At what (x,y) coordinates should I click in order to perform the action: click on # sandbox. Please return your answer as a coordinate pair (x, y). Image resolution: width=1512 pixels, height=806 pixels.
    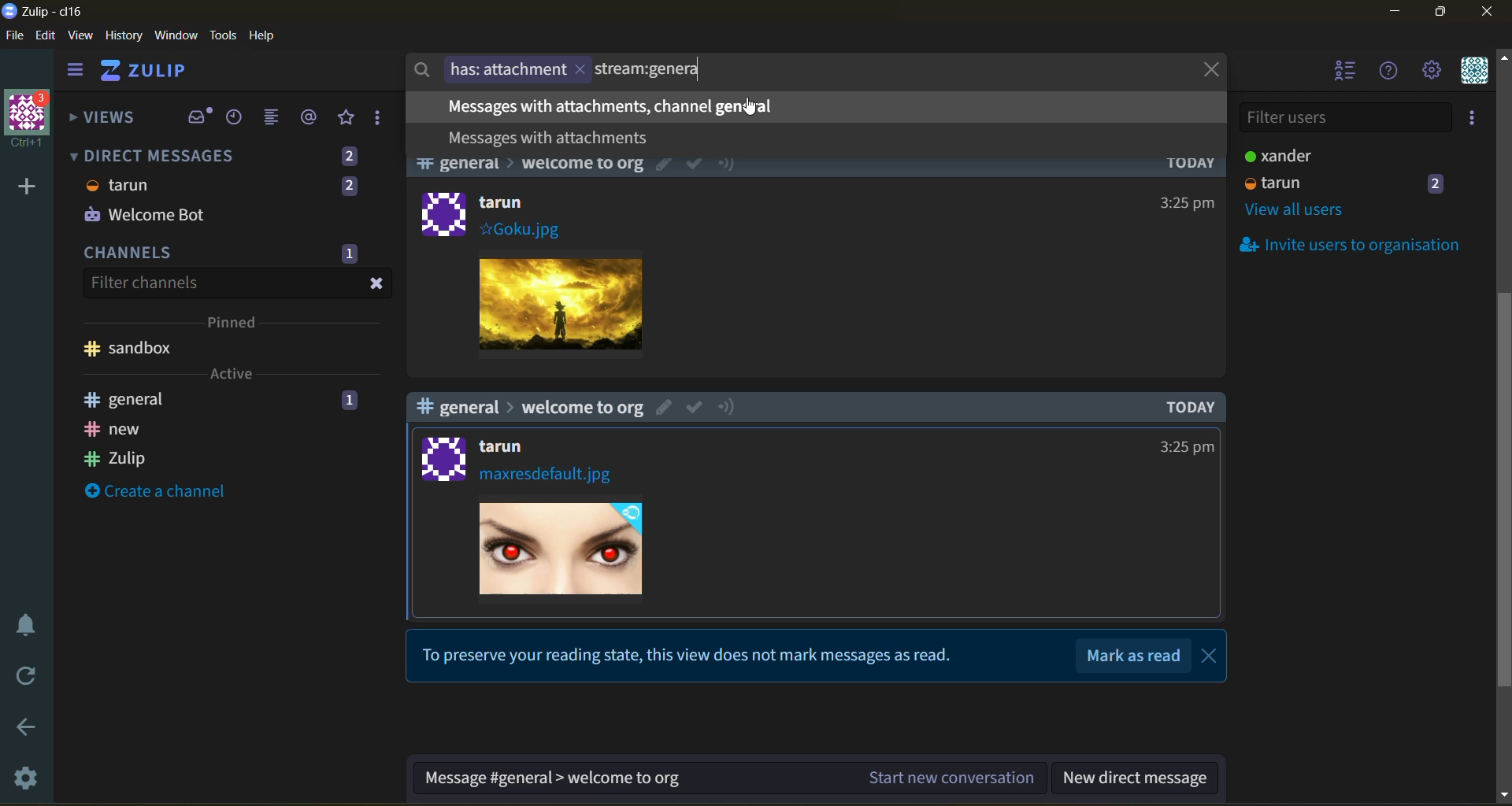
    Looking at the image, I should click on (131, 349).